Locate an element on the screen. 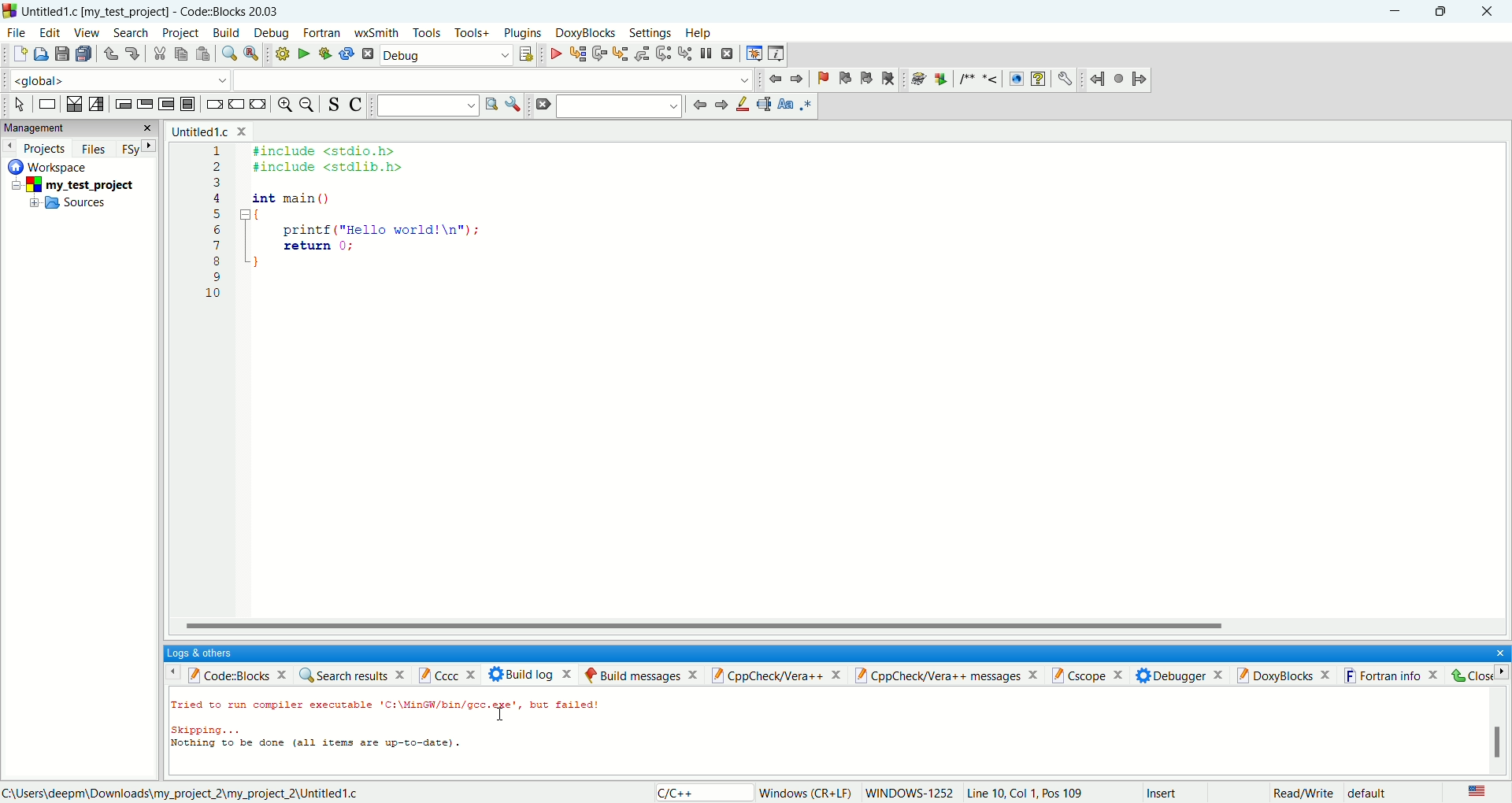  debugger is located at coordinates (1183, 675).